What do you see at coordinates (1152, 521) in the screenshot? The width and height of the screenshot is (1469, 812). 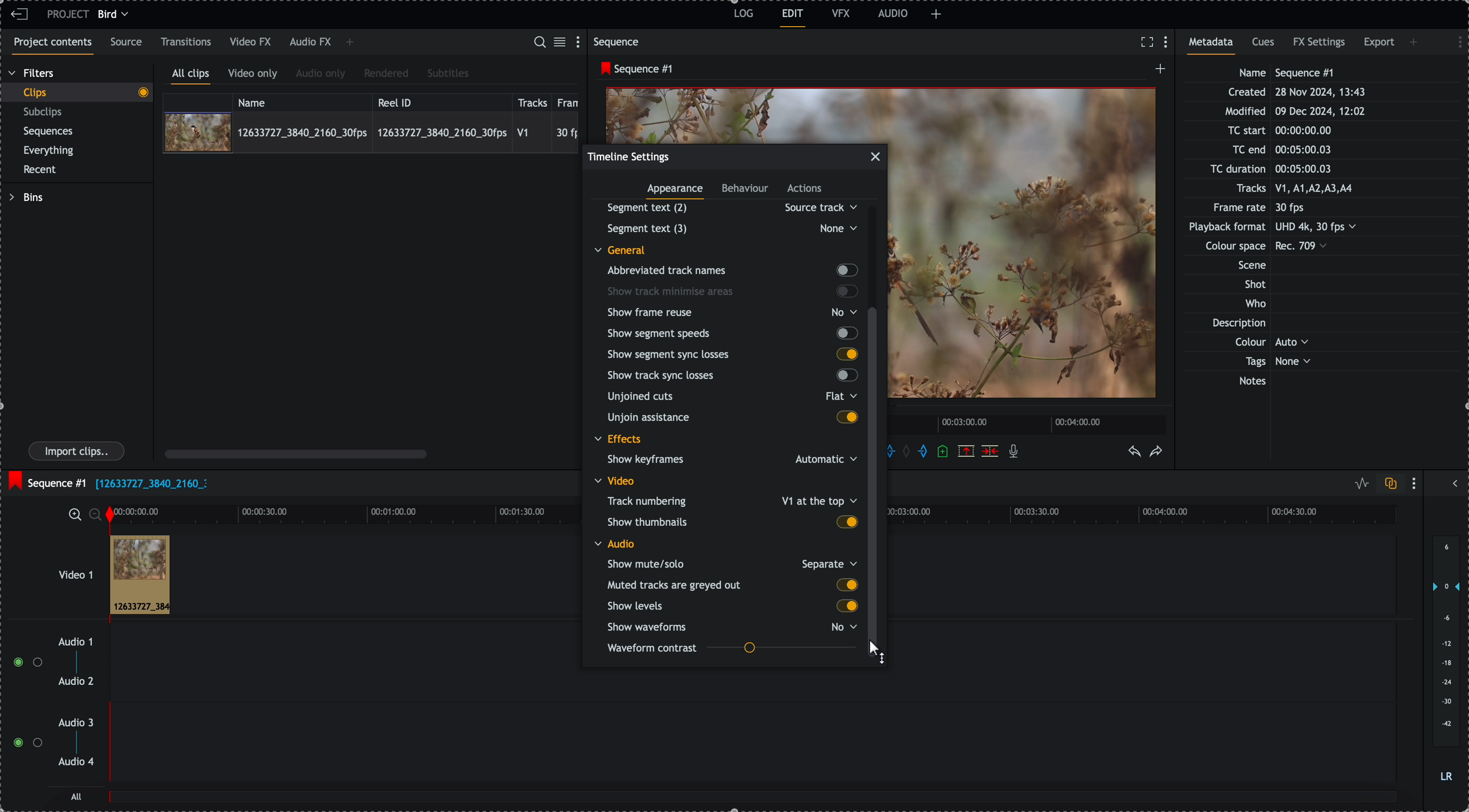 I see `timeline` at bounding box center [1152, 521].